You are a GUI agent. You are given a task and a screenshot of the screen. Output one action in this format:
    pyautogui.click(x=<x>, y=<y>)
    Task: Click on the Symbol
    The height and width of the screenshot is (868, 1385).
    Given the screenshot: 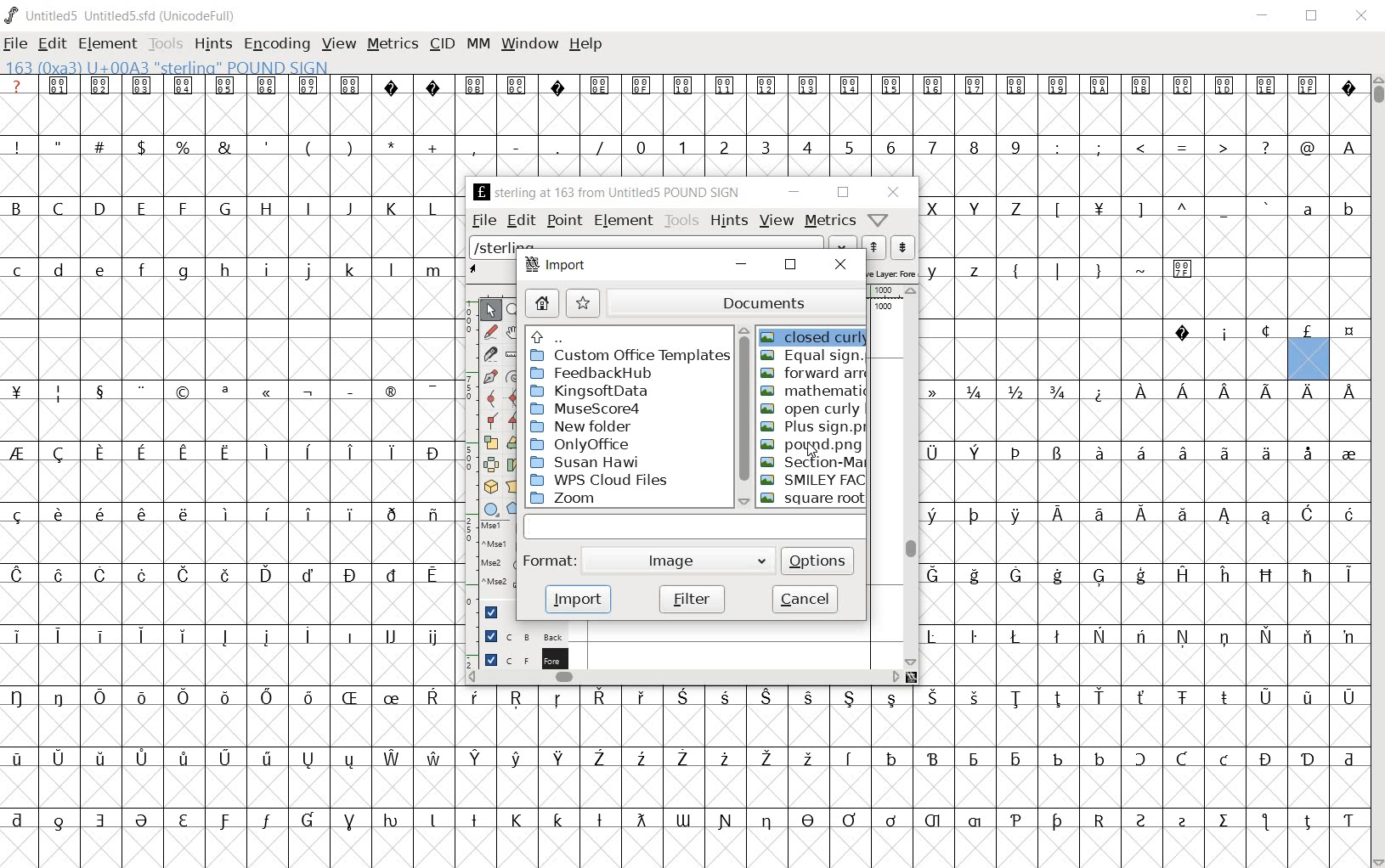 What is the action you would take?
    pyautogui.click(x=393, y=573)
    